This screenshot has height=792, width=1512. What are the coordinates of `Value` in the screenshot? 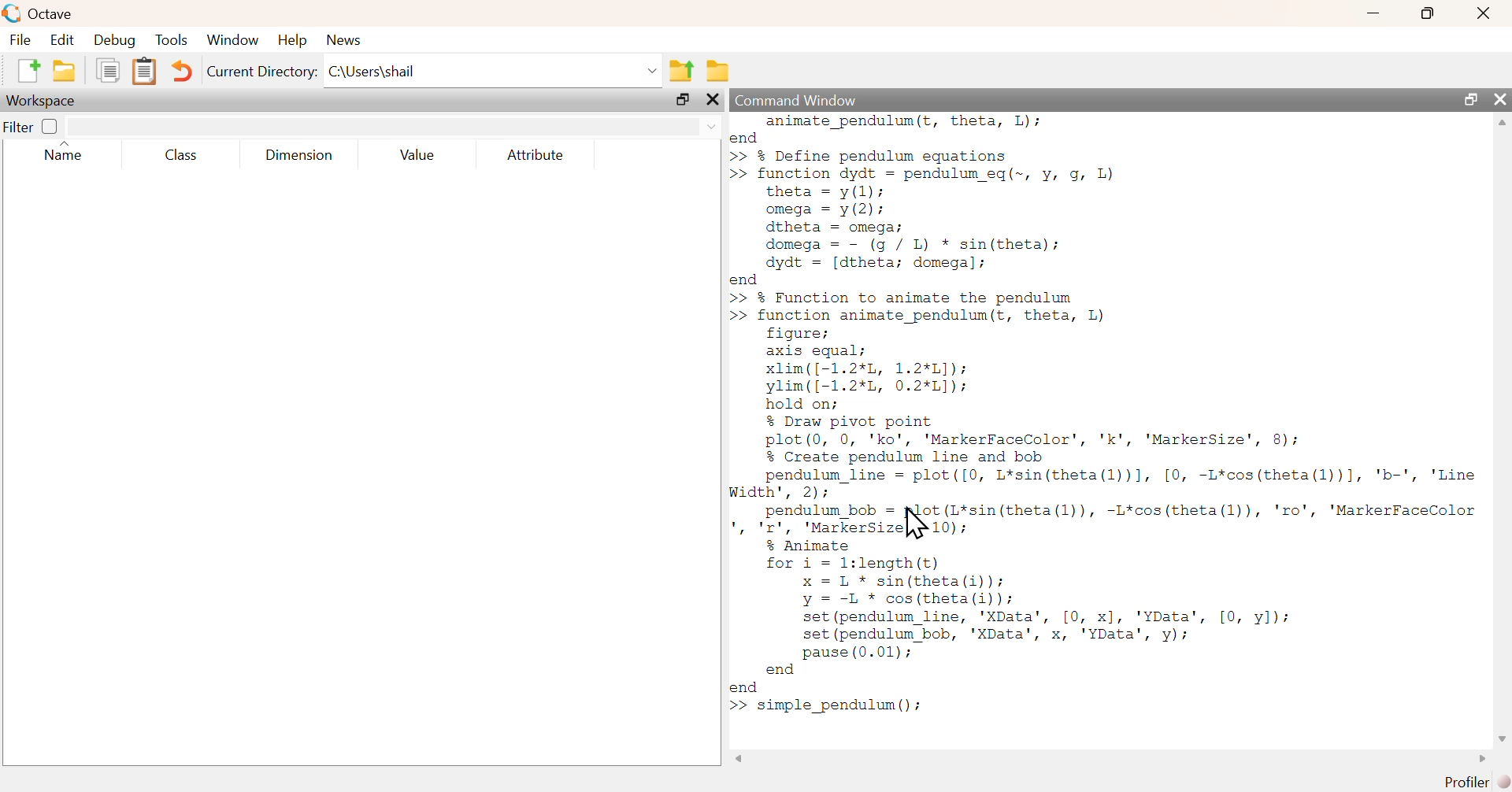 It's located at (422, 156).